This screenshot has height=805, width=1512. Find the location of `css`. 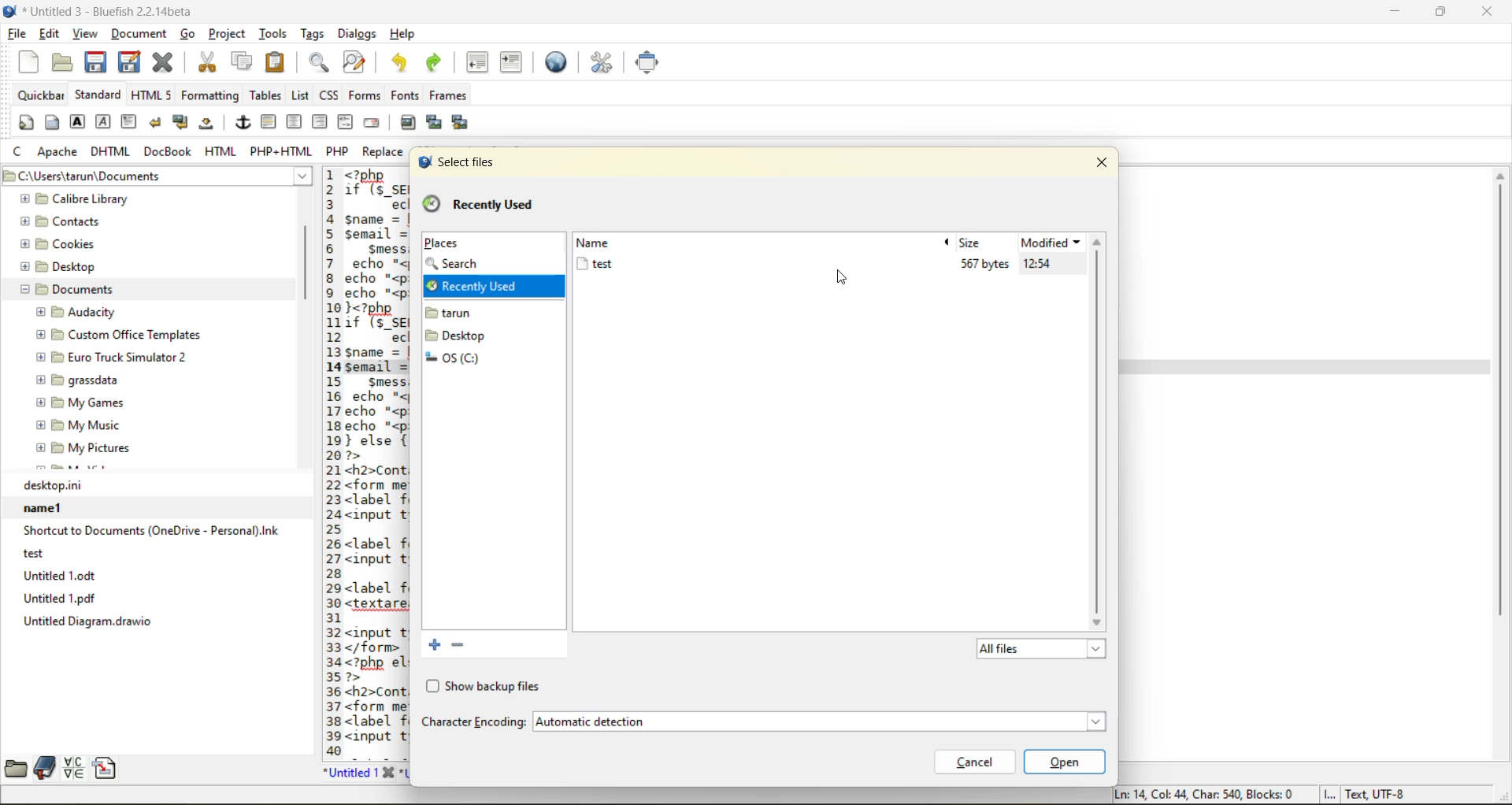

css is located at coordinates (330, 95).